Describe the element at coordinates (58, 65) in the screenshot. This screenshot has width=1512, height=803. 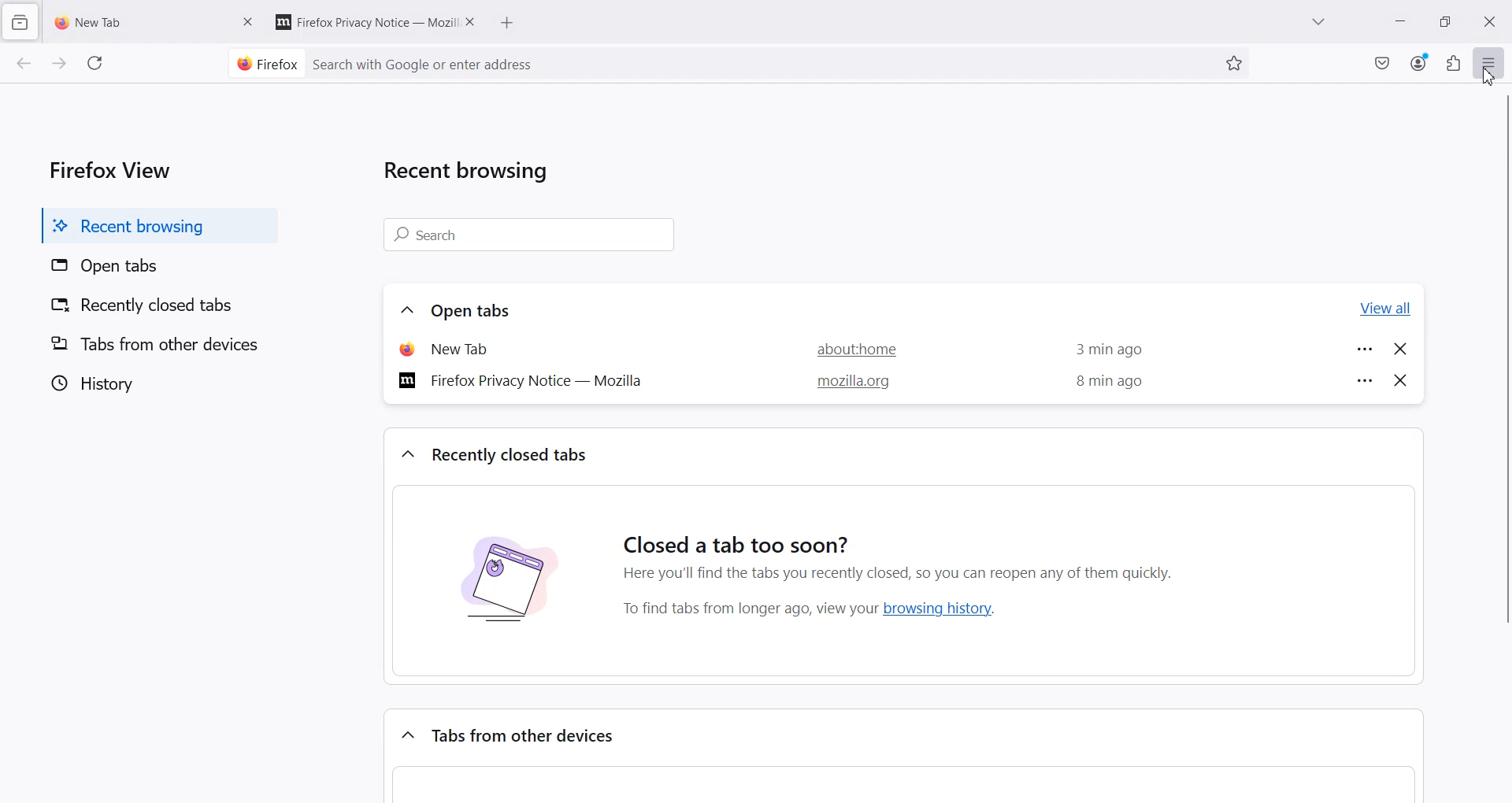
I see `Forward` at that location.